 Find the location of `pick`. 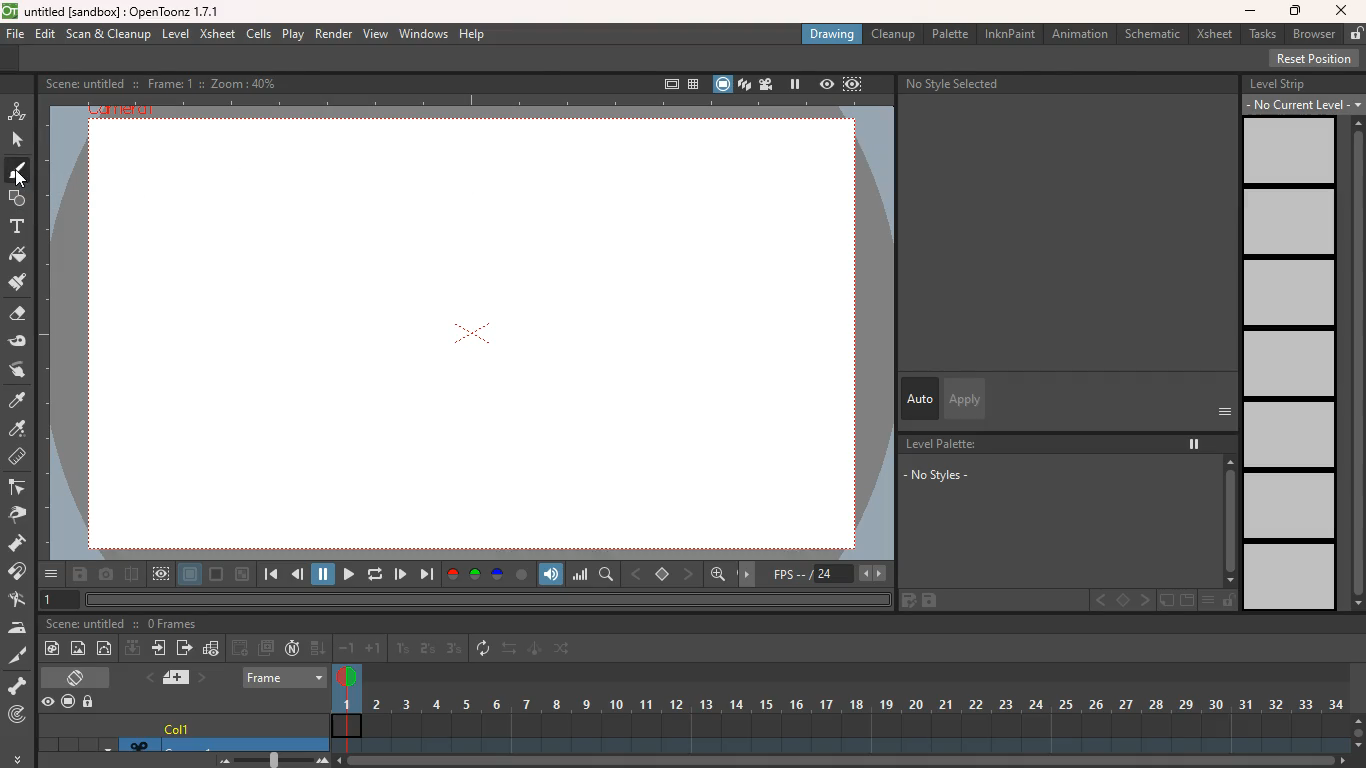

pick is located at coordinates (23, 515).